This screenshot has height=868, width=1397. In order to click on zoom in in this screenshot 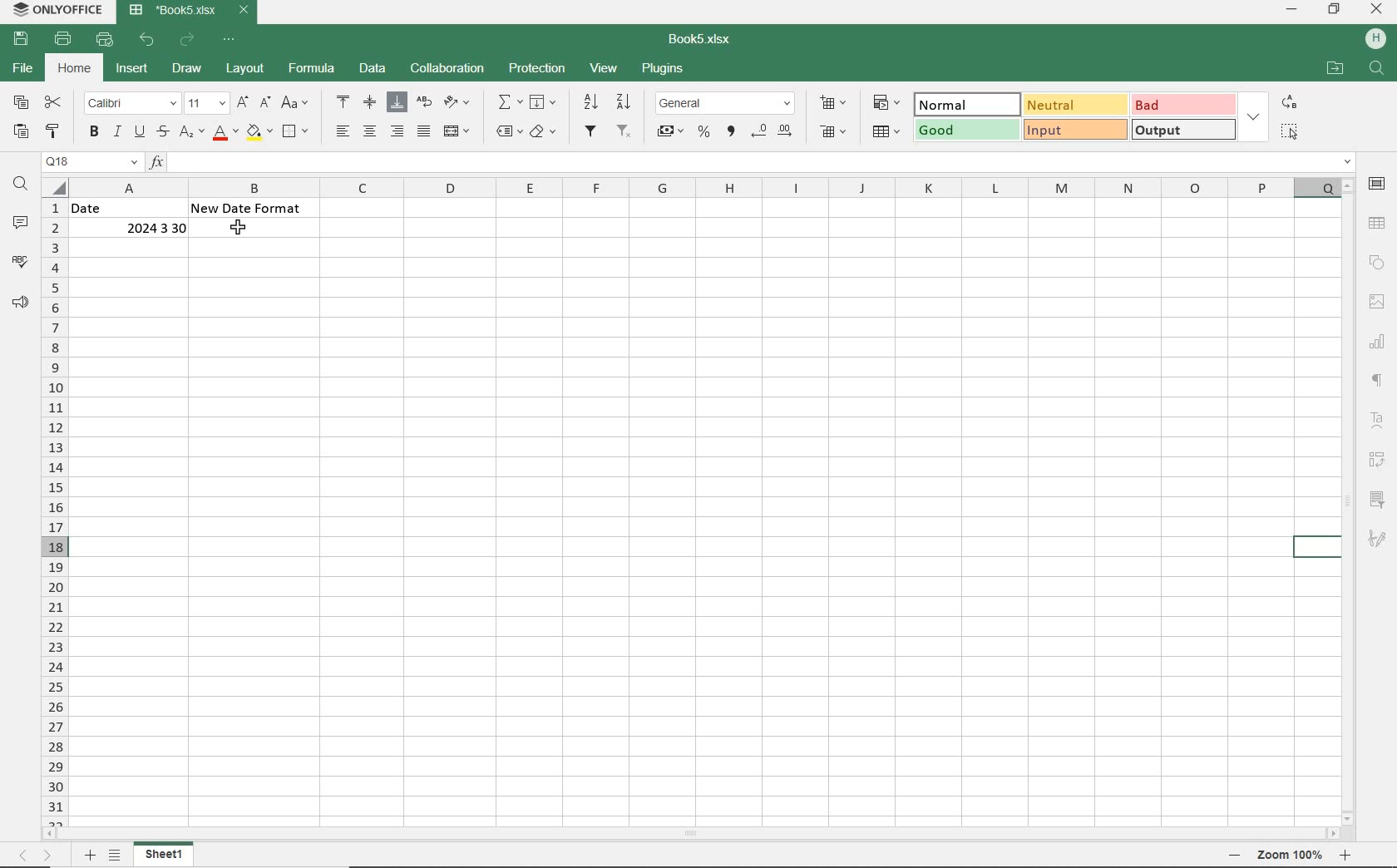, I will do `click(1344, 856)`.